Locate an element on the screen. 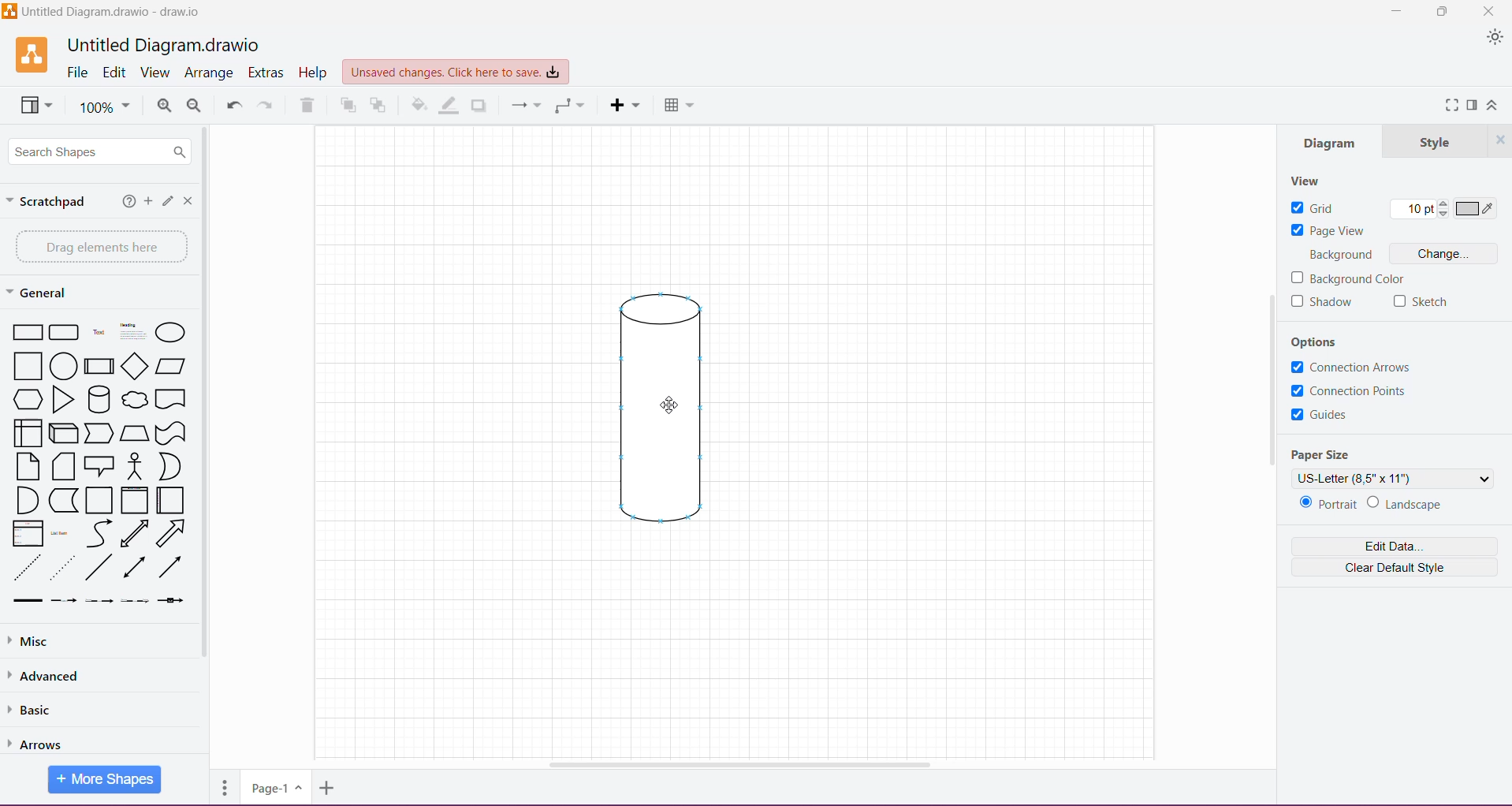 The width and height of the screenshot is (1512, 806). More Shapes is located at coordinates (106, 780).